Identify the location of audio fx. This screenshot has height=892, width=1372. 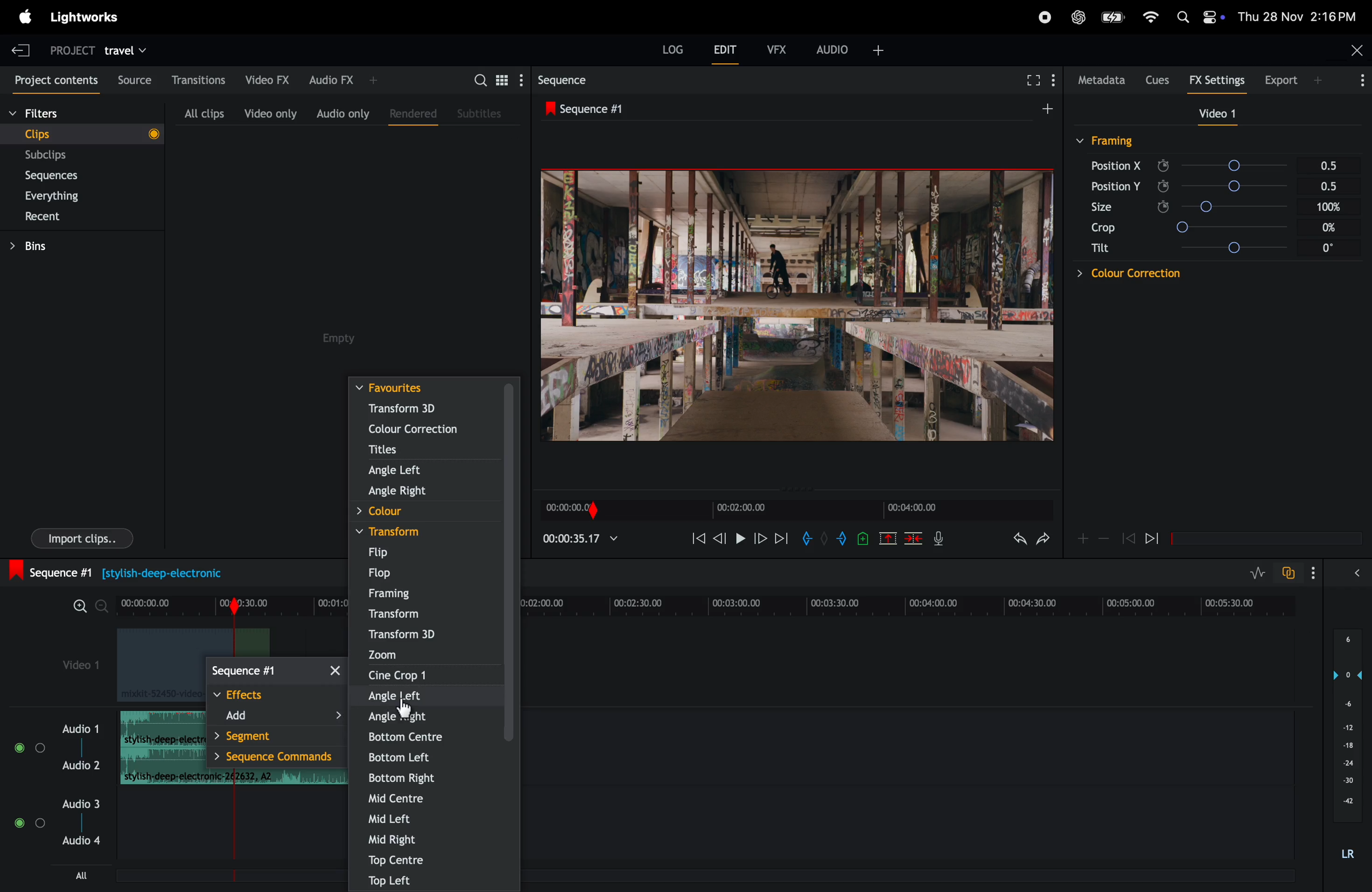
(342, 78).